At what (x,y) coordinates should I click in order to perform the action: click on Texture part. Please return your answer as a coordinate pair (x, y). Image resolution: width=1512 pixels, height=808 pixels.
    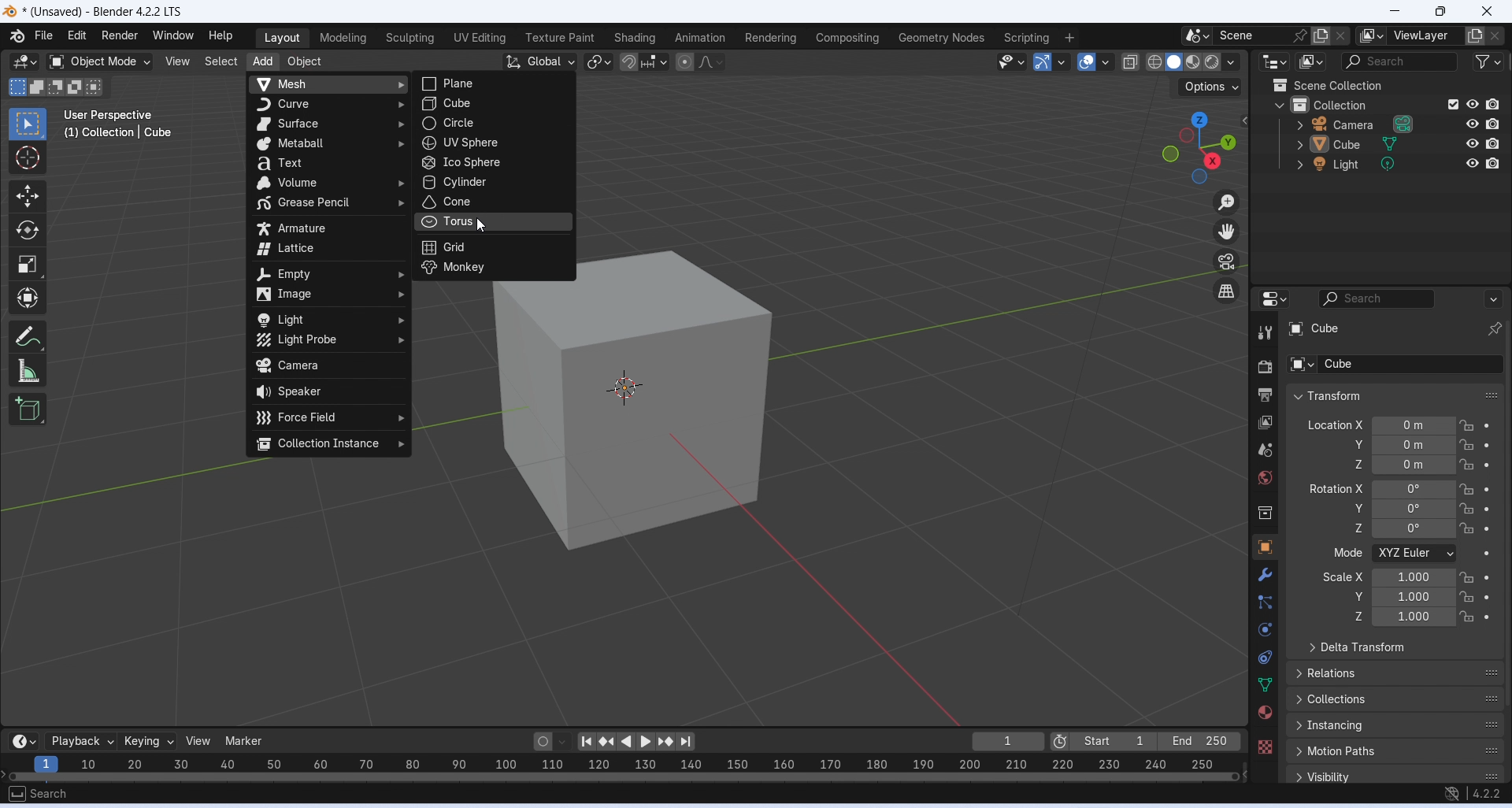
    Looking at the image, I should click on (561, 38).